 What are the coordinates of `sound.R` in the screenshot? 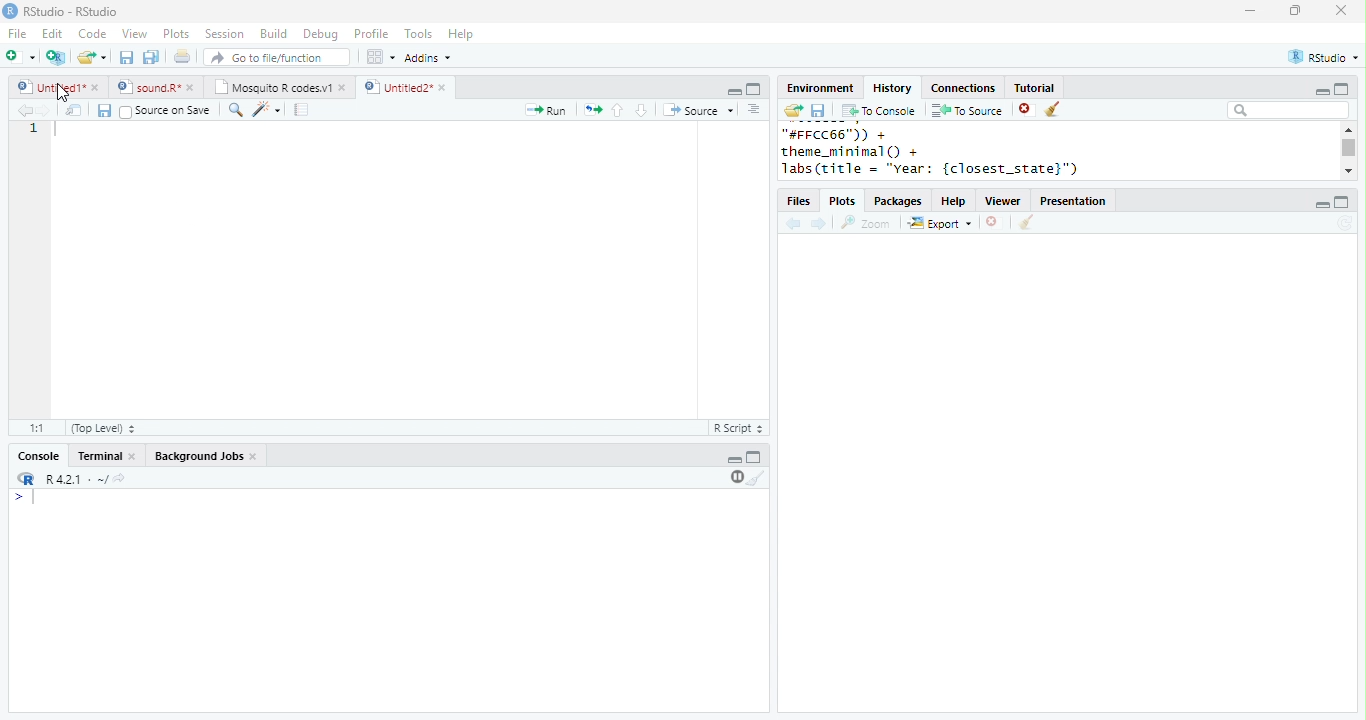 It's located at (147, 88).